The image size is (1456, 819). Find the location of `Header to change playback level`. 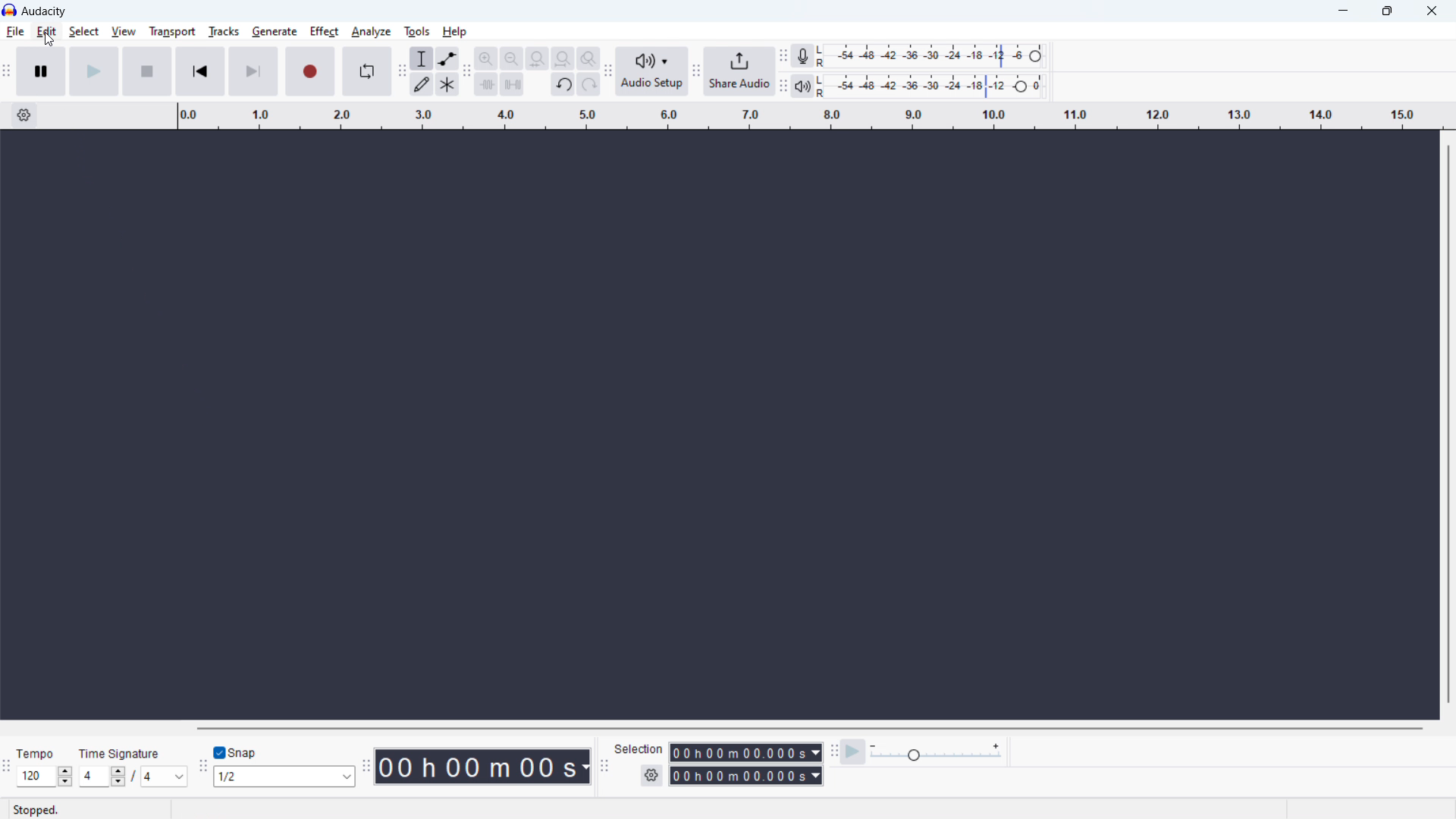

Header to change playback level is located at coordinates (1021, 86).